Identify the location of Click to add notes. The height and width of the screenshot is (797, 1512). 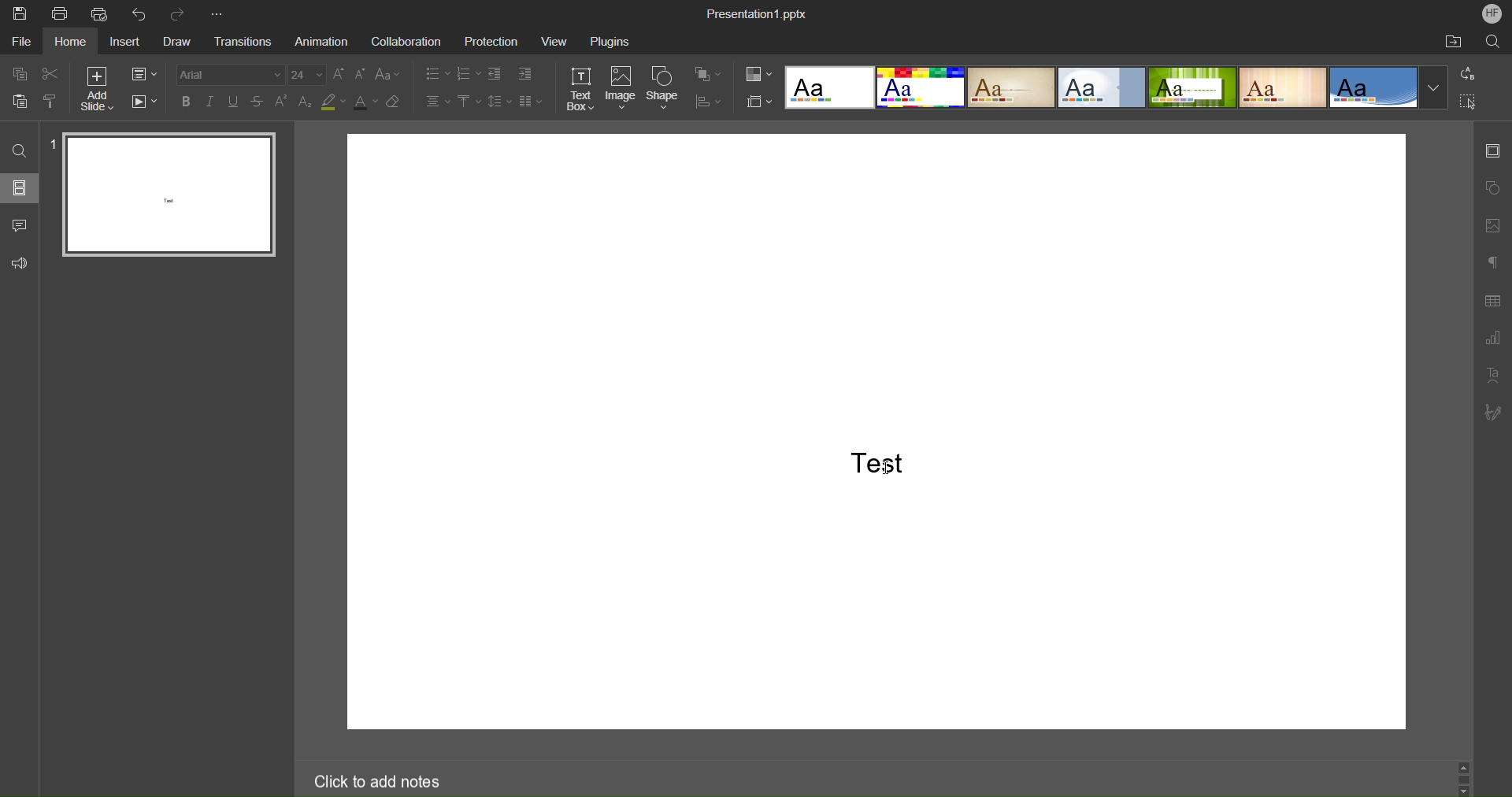
(432, 778).